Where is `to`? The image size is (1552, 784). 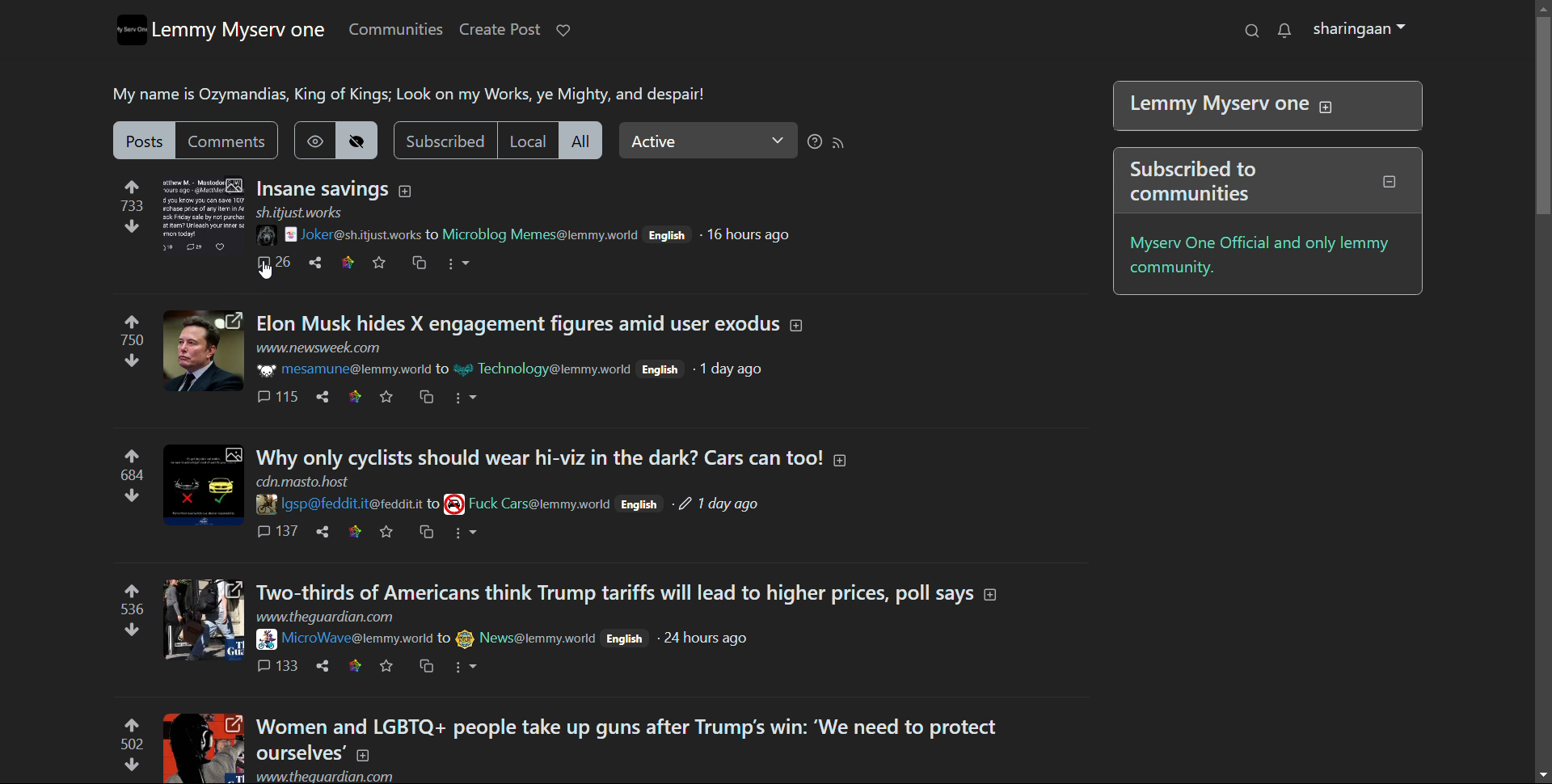
to is located at coordinates (442, 368).